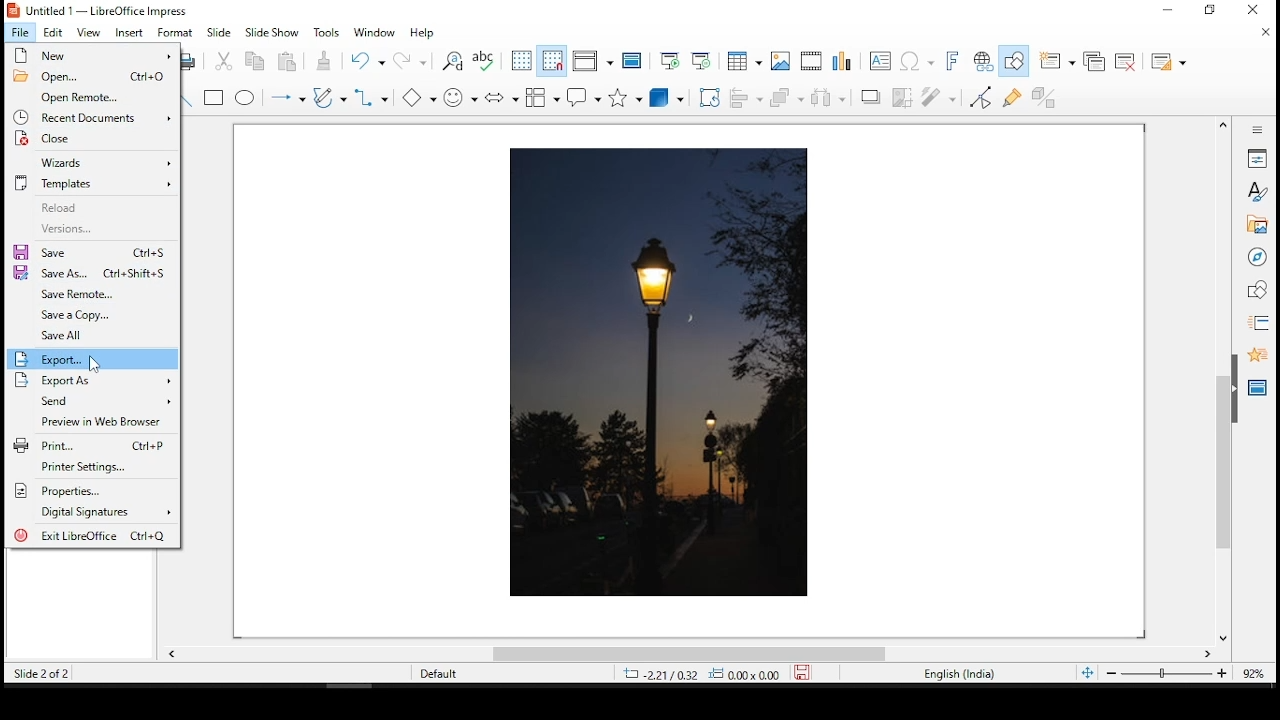 The height and width of the screenshot is (720, 1280). I want to click on text box, so click(879, 62).